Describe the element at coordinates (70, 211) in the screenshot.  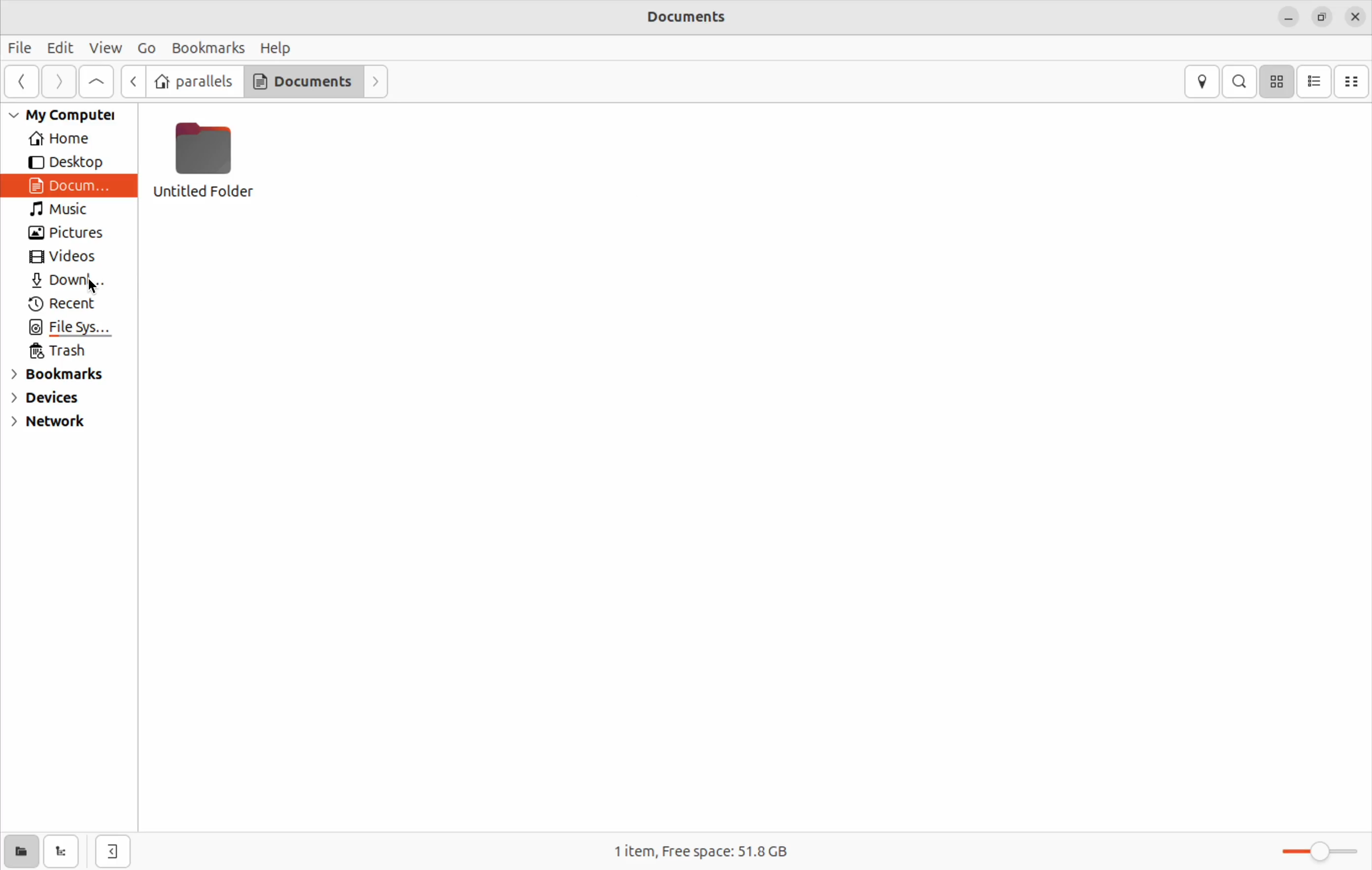
I see `music` at that location.